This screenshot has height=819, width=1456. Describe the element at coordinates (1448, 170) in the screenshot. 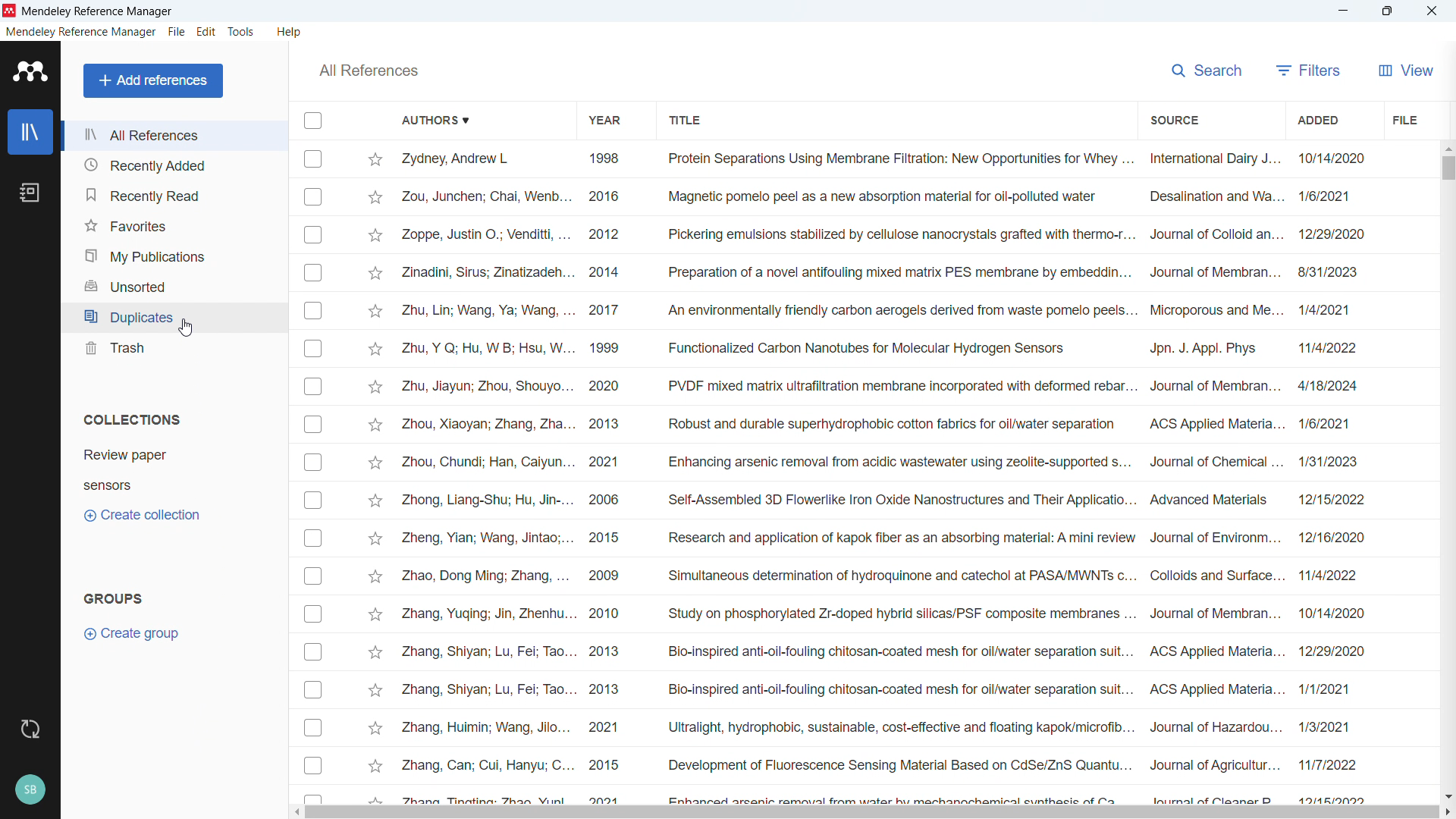

I see `Vertical scroll bar ` at that location.